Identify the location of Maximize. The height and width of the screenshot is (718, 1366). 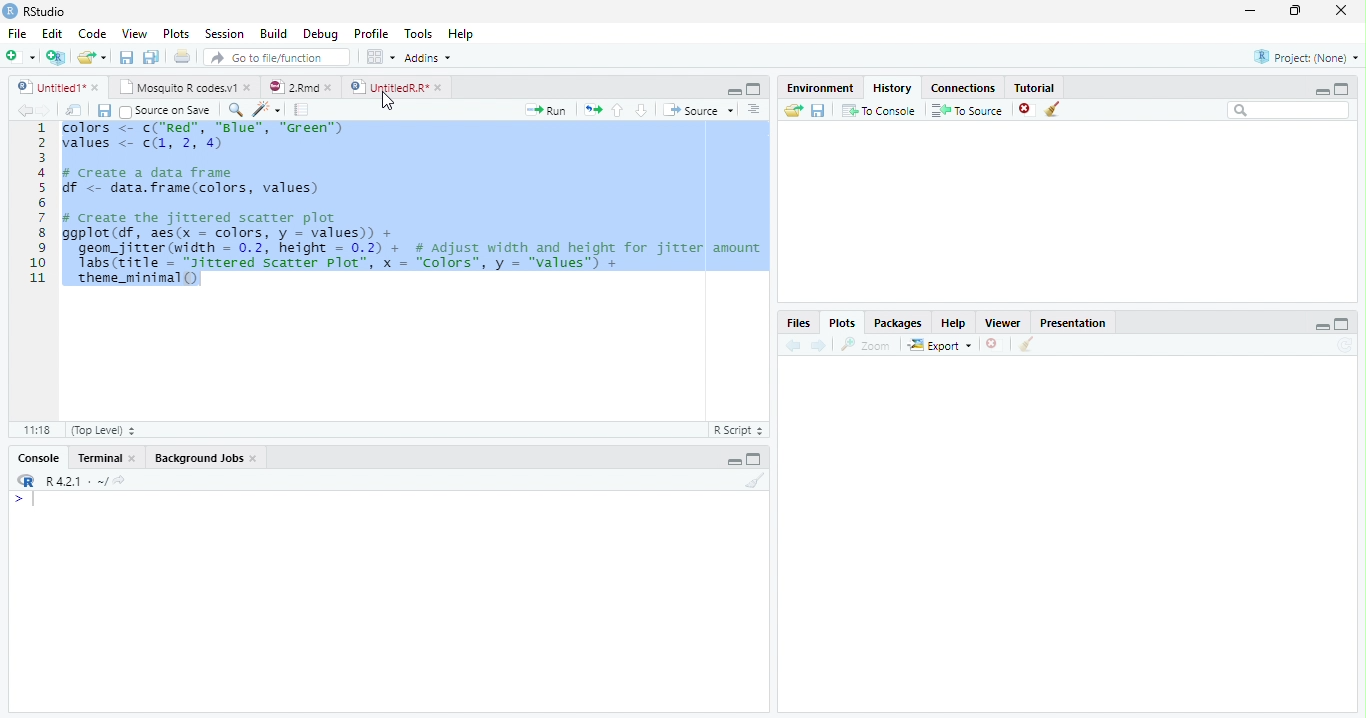
(754, 458).